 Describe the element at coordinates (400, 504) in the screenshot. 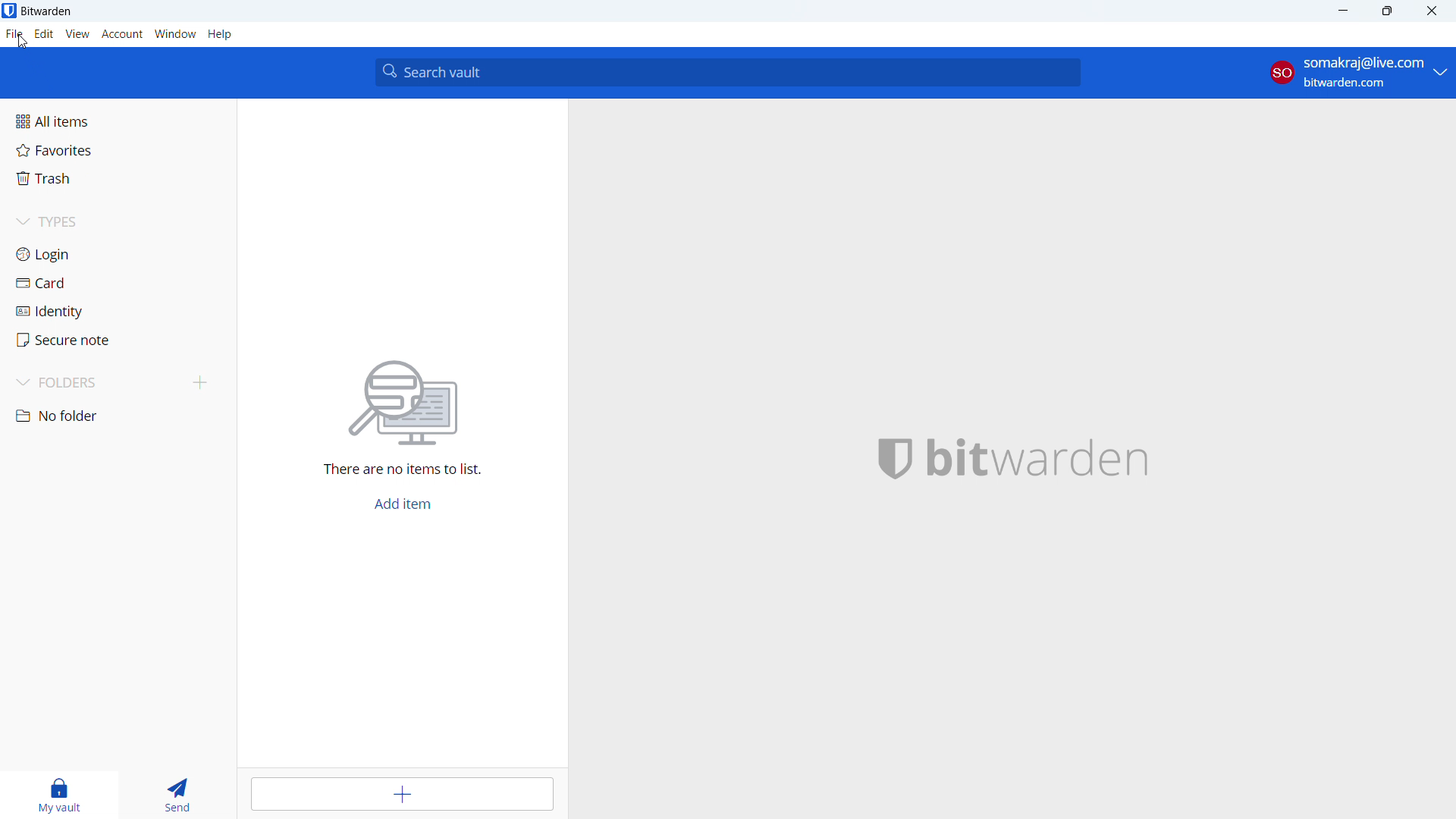

I see `add item` at that location.